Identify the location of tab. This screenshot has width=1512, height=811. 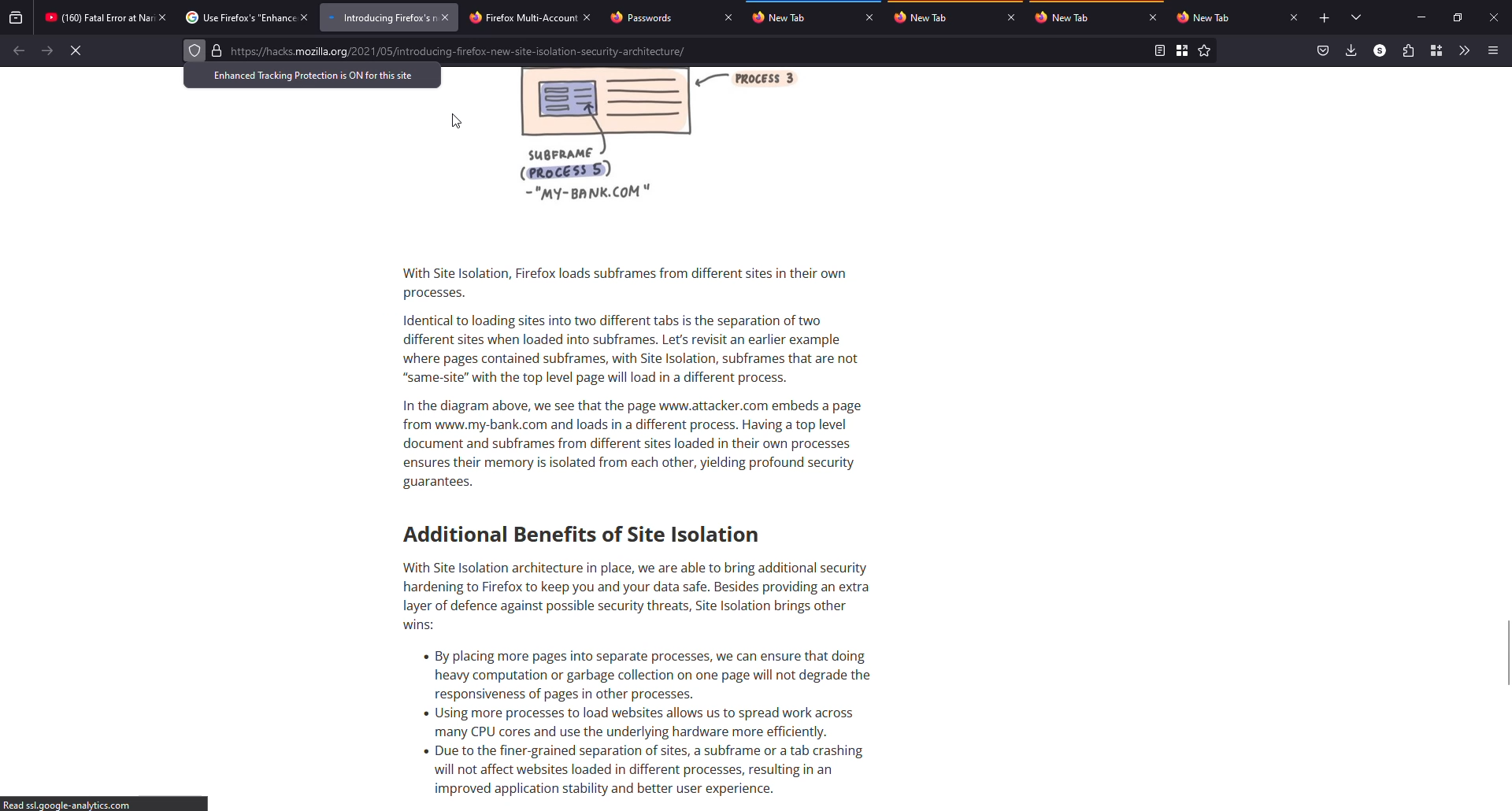
(238, 17).